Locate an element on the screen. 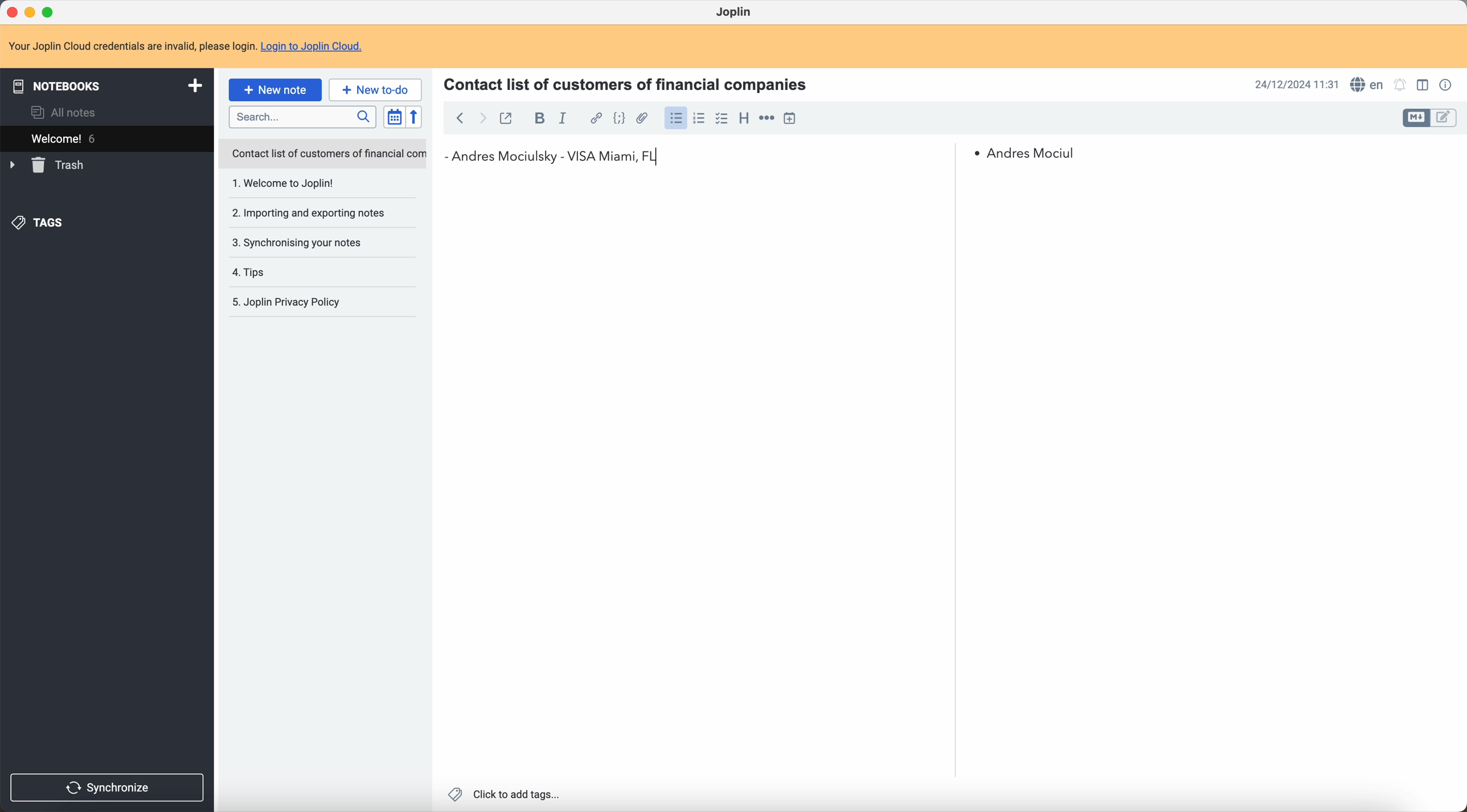 Image resolution: width=1467 pixels, height=812 pixels. italic is located at coordinates (563, 120).